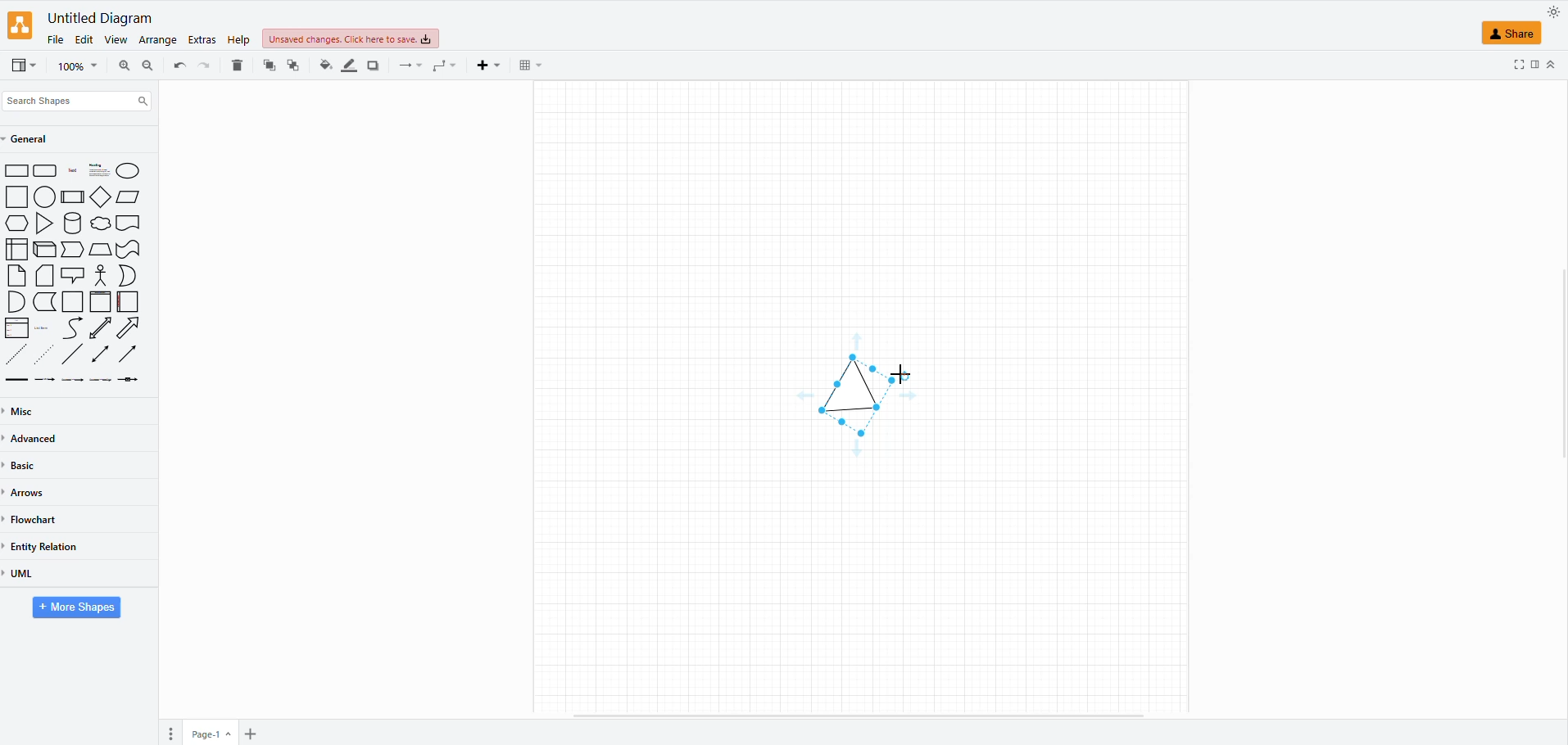 The width and height of the screenshot is (1568, 745). I want to click on Polygon, so click(100, 250).